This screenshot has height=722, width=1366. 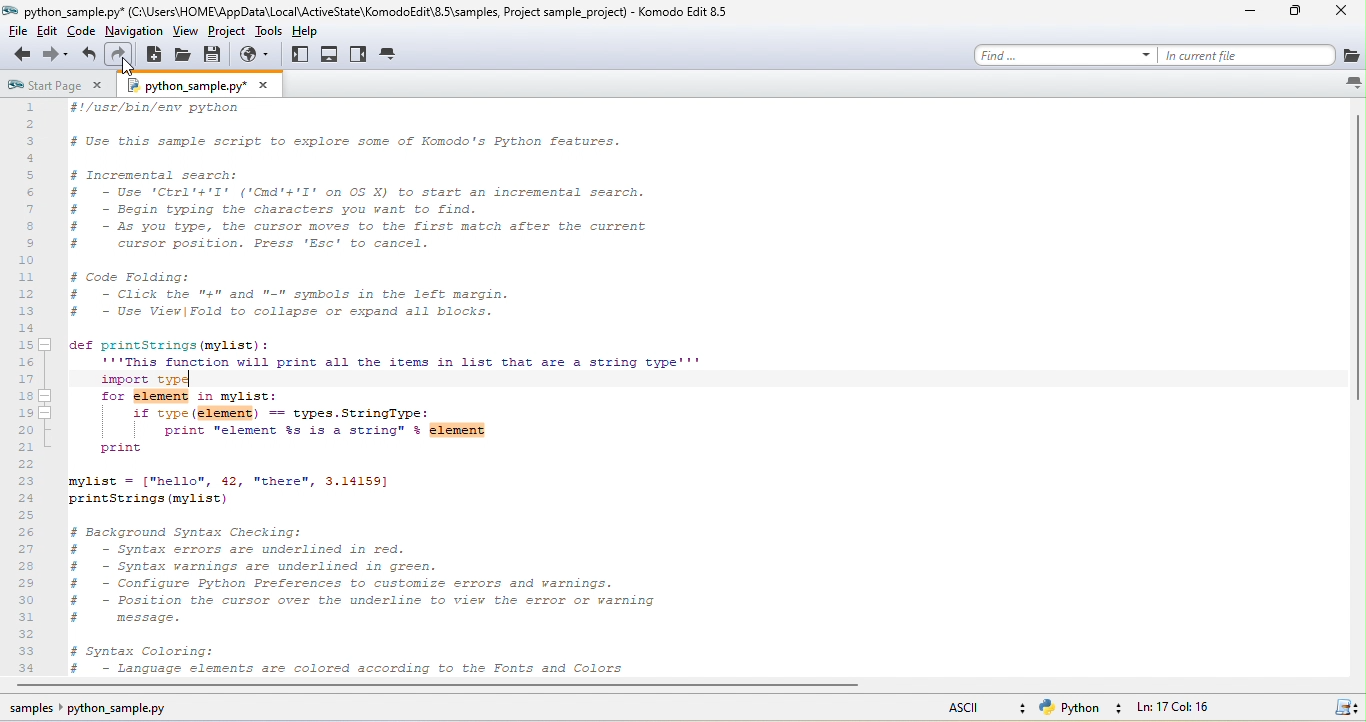 I want to click on in current file, so click(x=1247, y=54).